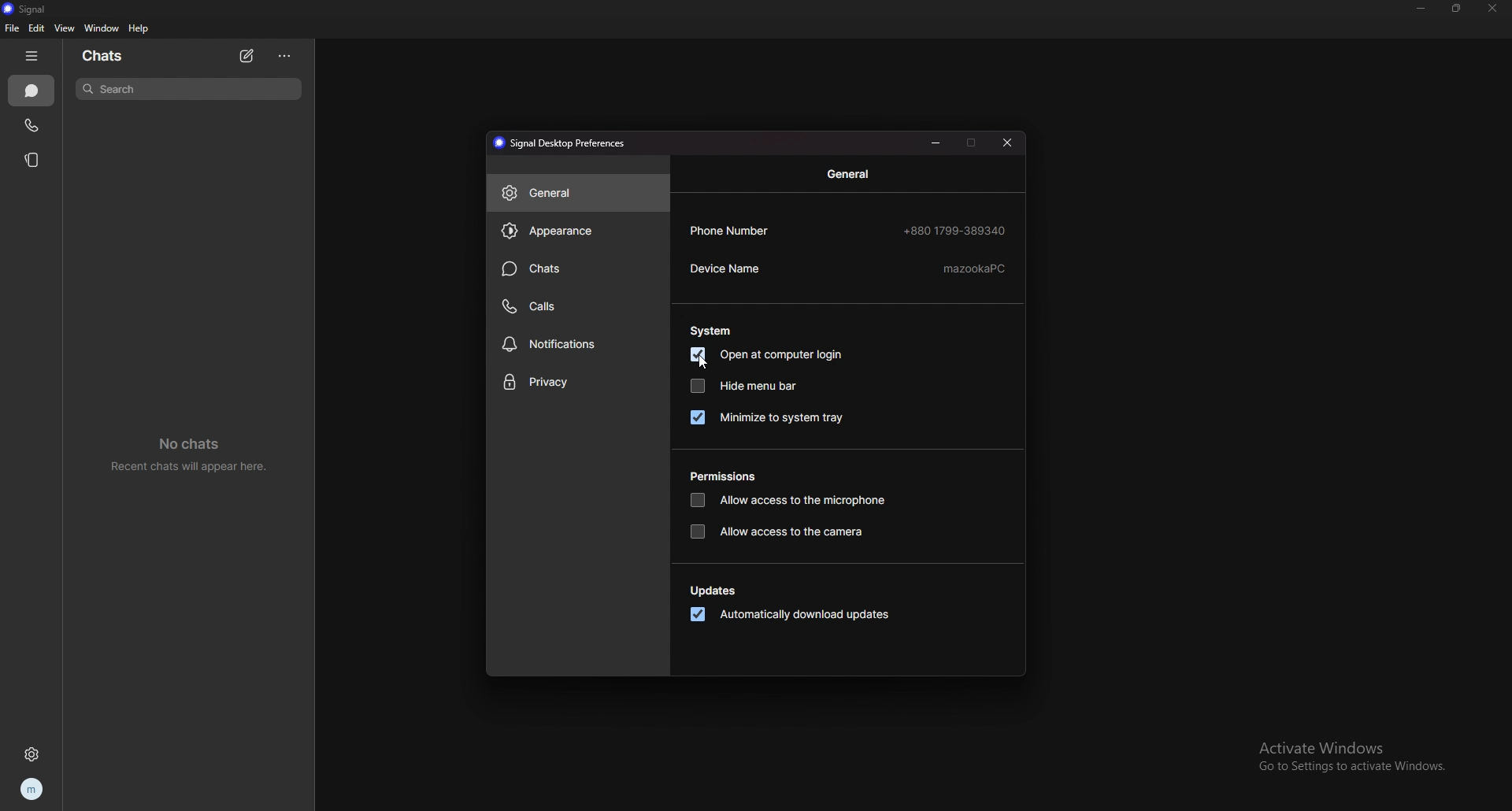 Image resolution: width=1512 pixels, height=811 pixels. Describe the element at coordinates (576, 269) in the screenshot. I see `chats` at that location.